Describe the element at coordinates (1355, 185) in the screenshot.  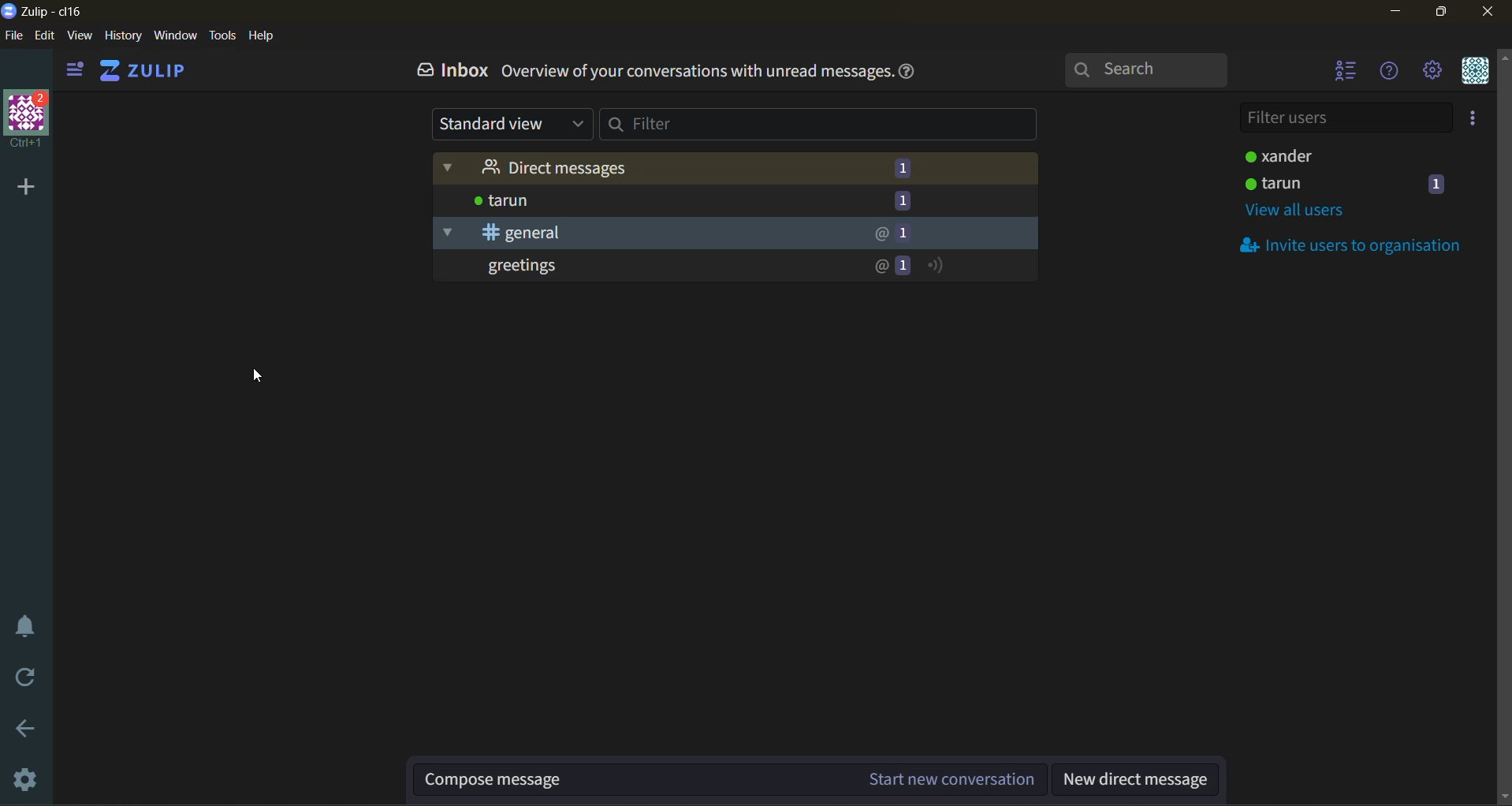
I see `users and status` at that location.